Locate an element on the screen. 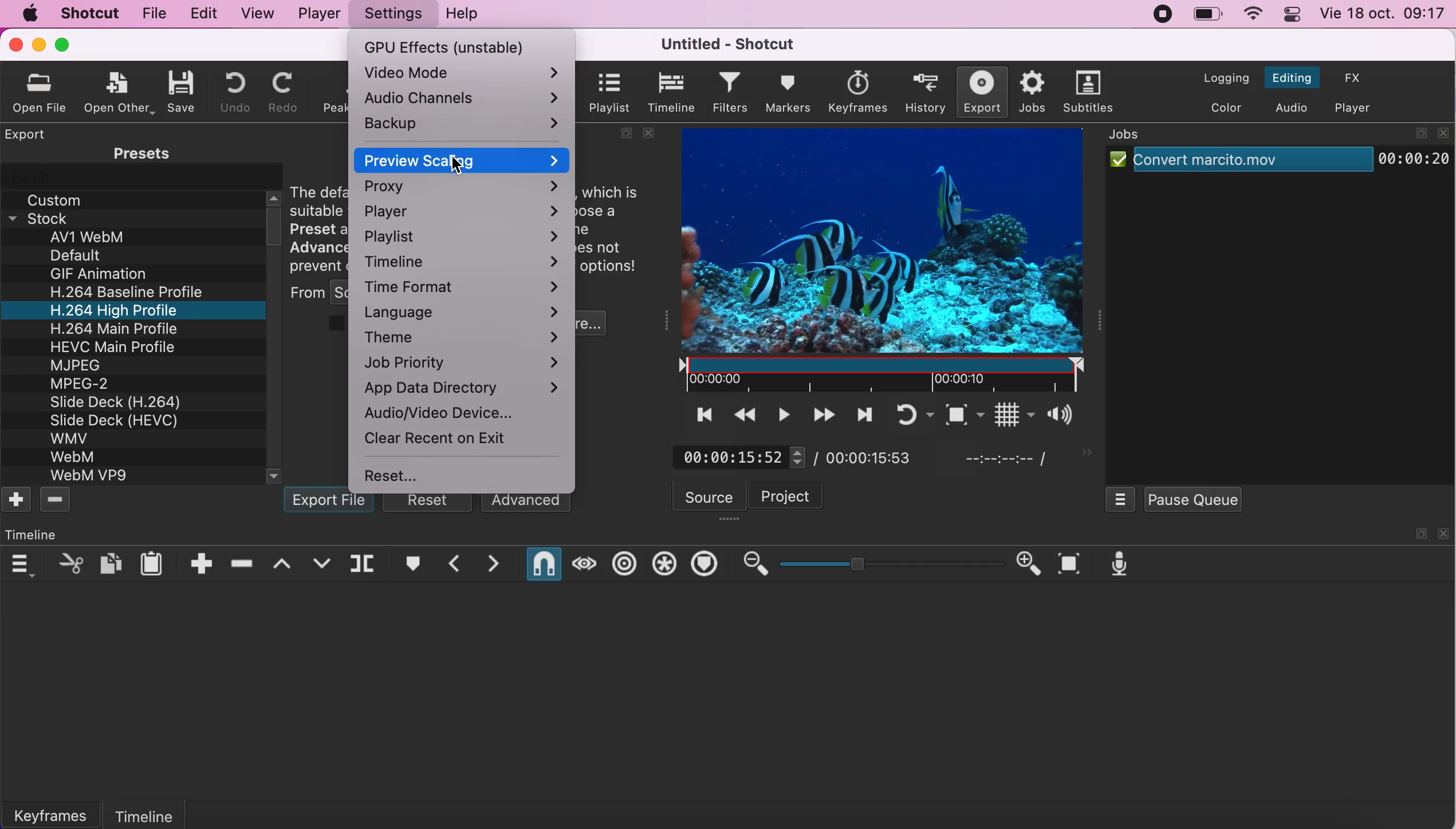 Image resolution: width=1456 pixels, height=829 pixels. keyframes is located at coordinates (58, 814).